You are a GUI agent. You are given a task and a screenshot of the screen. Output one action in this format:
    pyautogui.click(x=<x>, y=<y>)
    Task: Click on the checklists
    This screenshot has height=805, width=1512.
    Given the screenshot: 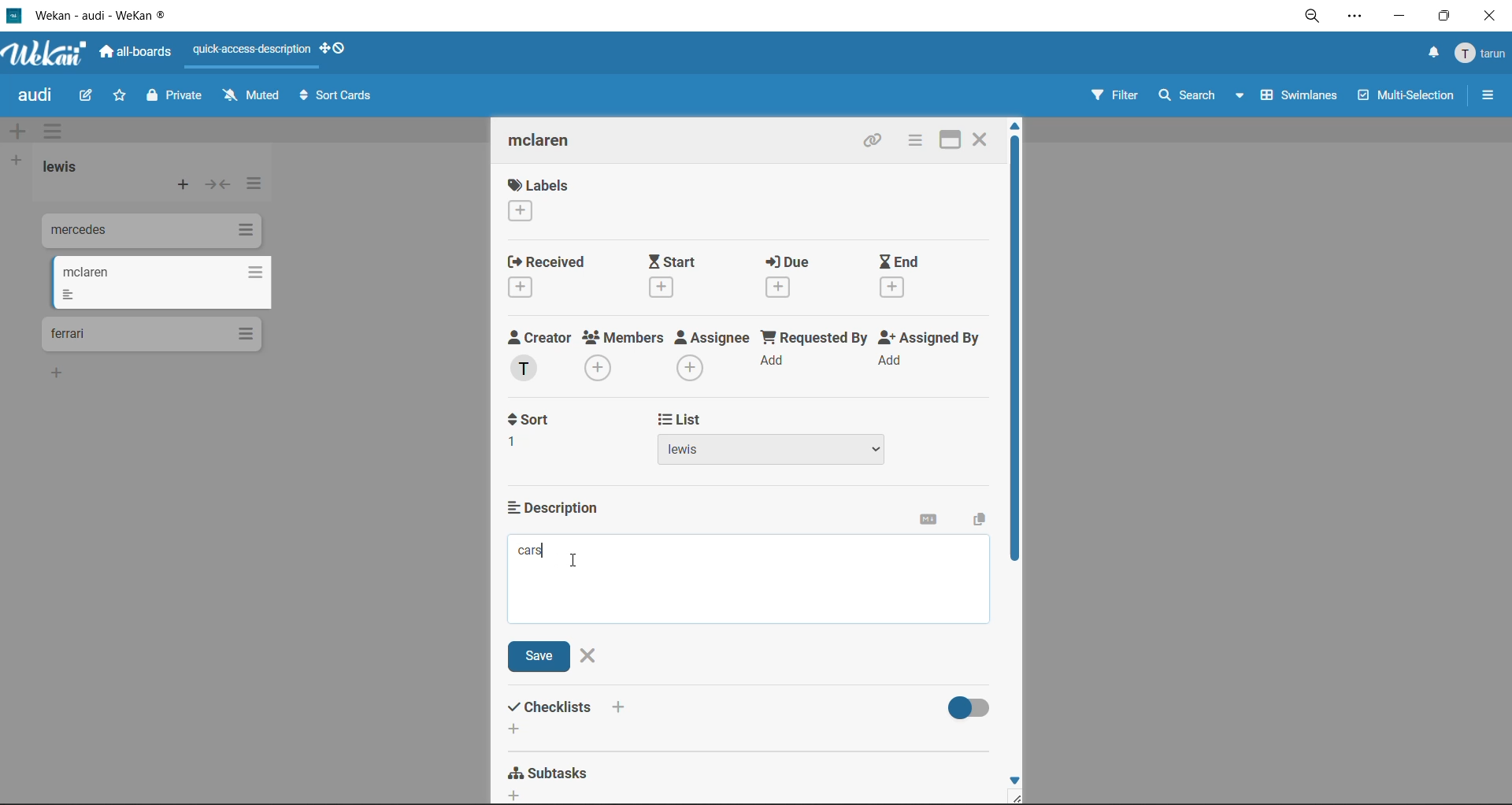 What is the action you would take?
    pyautogui.click(x=571, y=717)
    